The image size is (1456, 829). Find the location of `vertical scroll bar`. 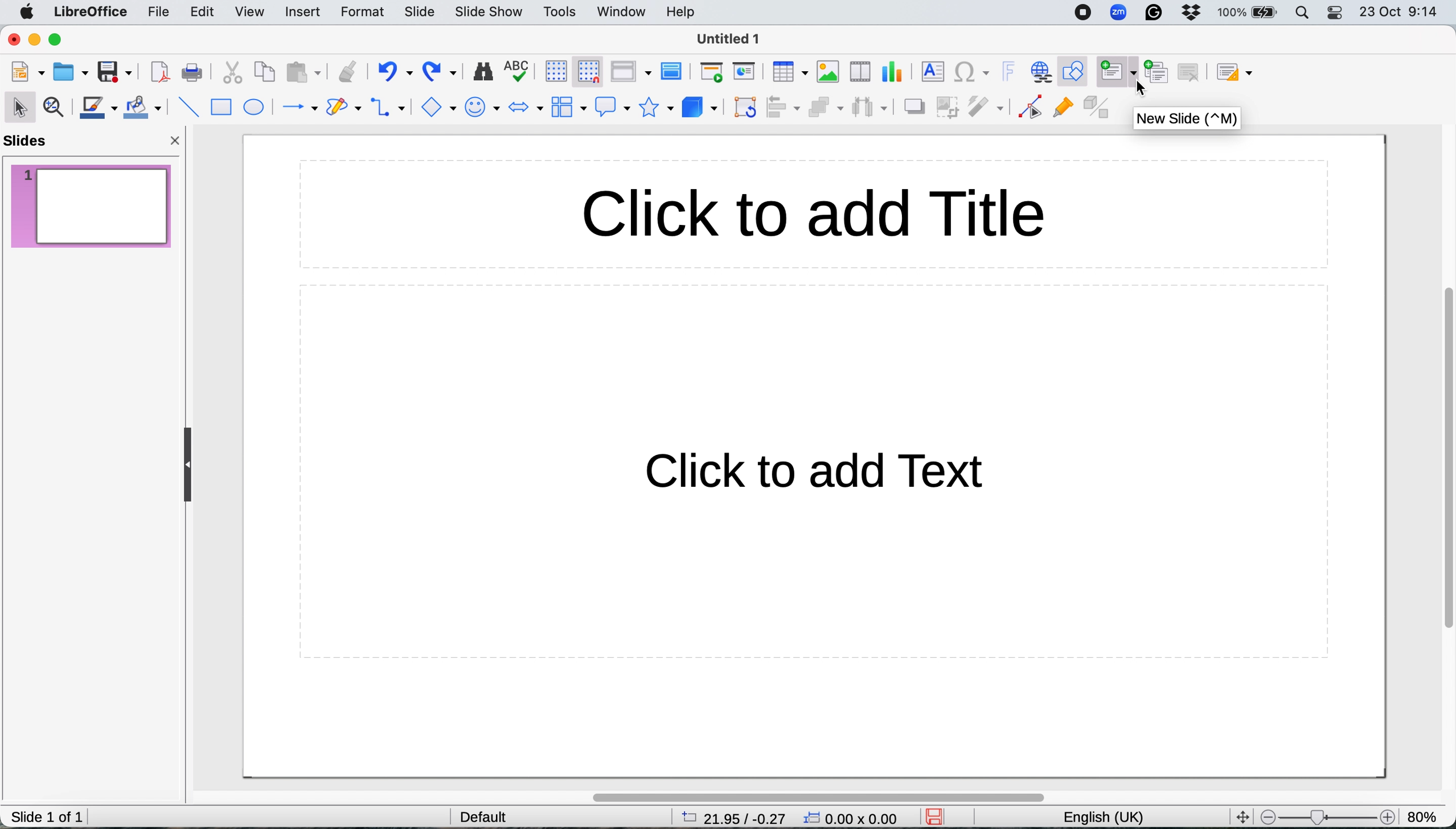

vertical scroll bar is located at coordinates (1442, 462).